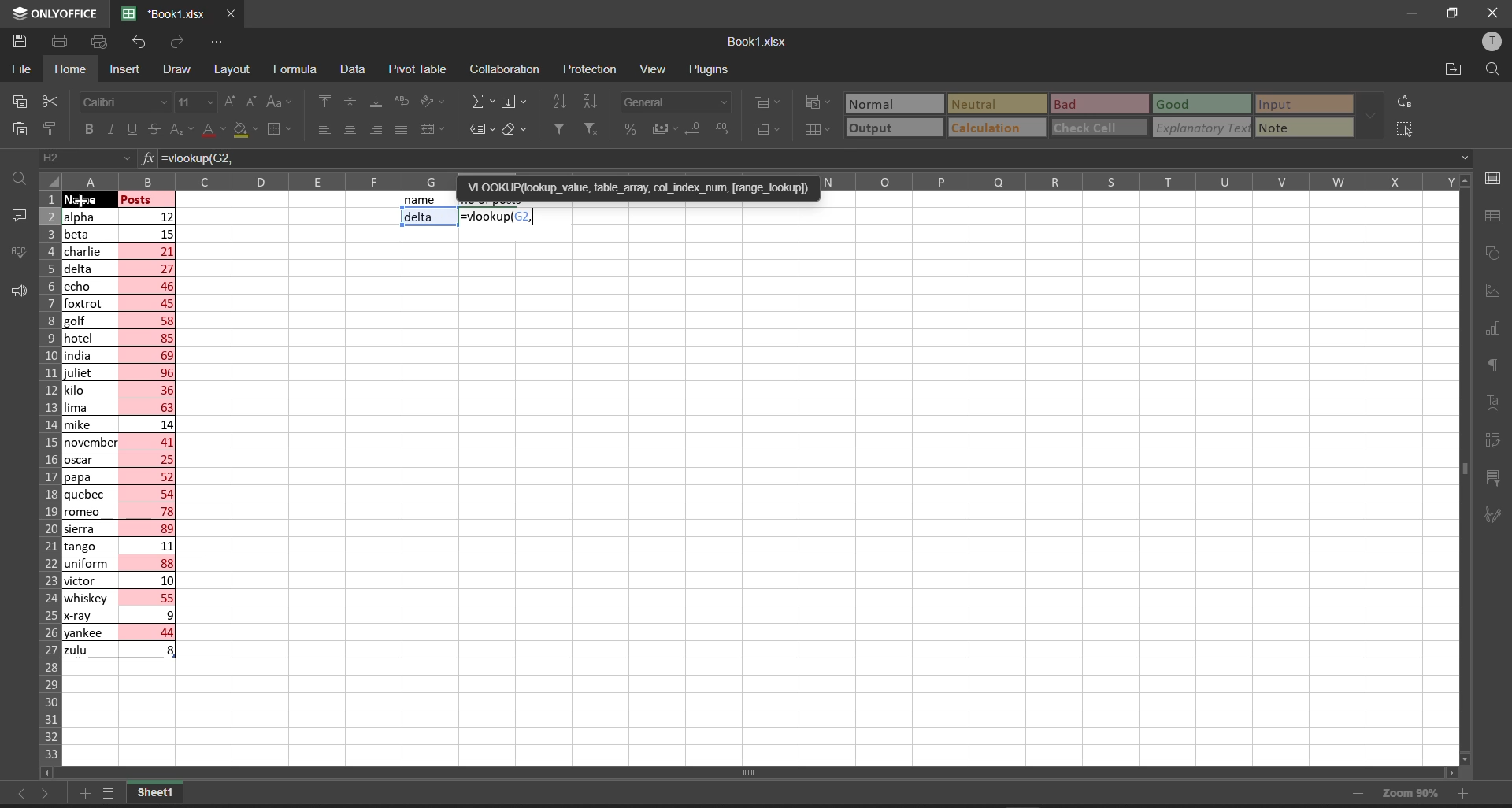 The image size is (1512, 808). I want to click on quick print, so click(98, 40).